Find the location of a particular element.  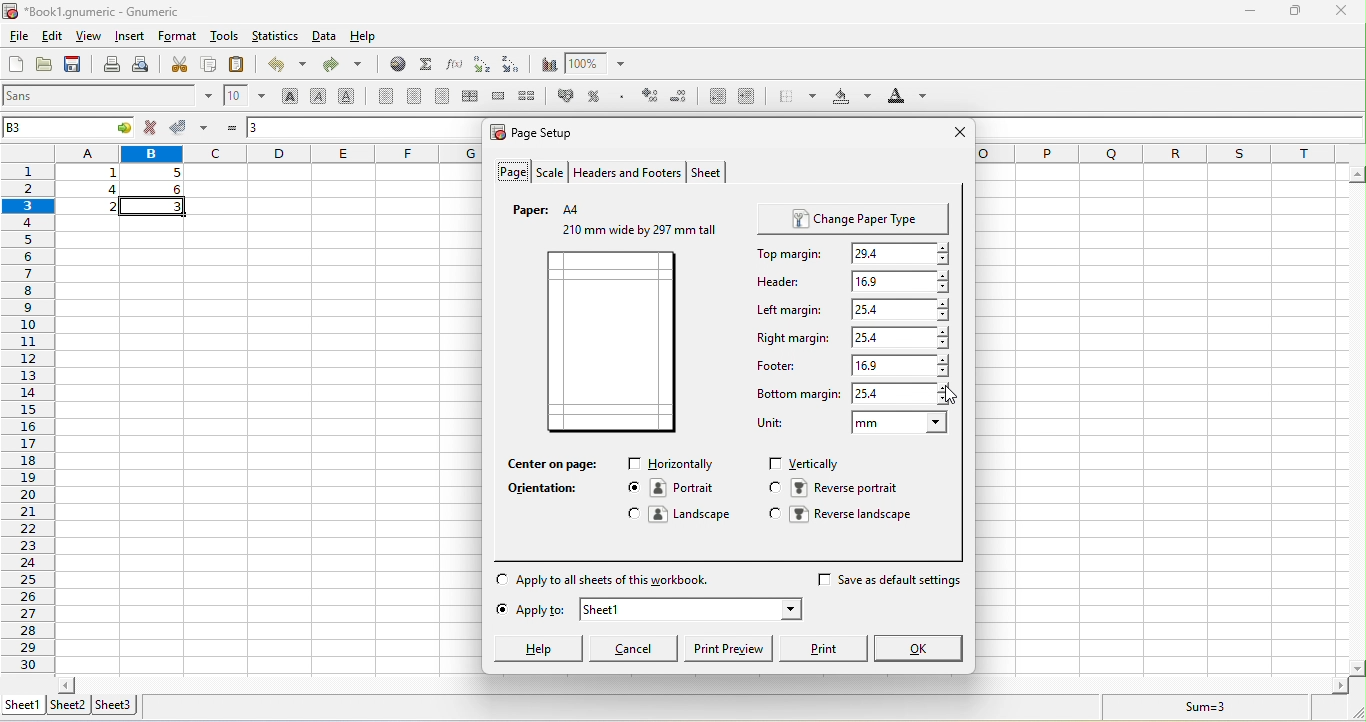

set the format of the selected cells is located at coordinates (624, 100).